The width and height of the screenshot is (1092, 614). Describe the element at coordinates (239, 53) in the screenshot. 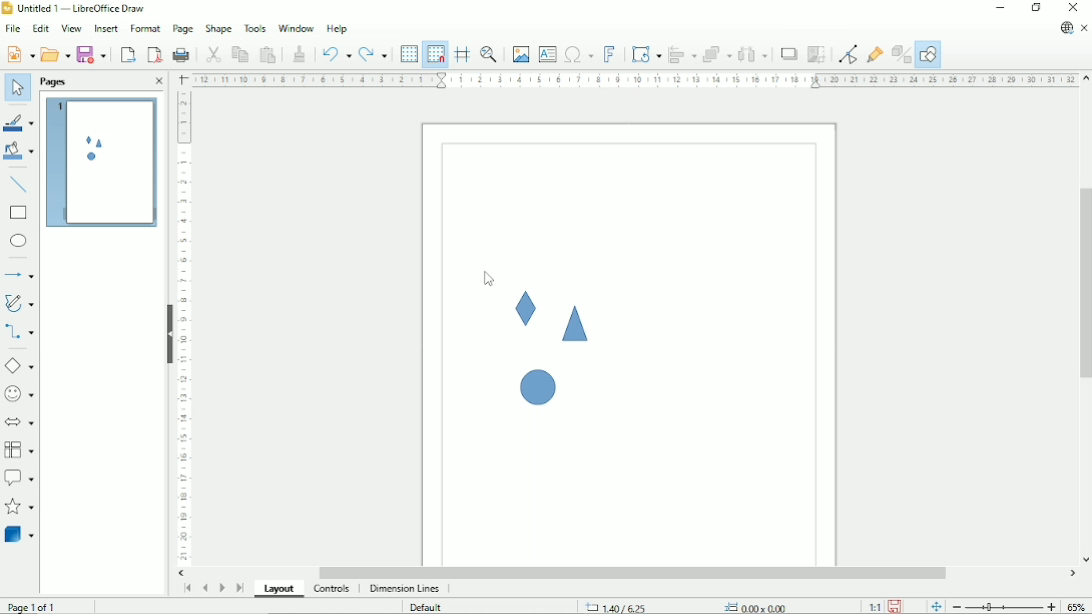

I see `Copy` at that location.